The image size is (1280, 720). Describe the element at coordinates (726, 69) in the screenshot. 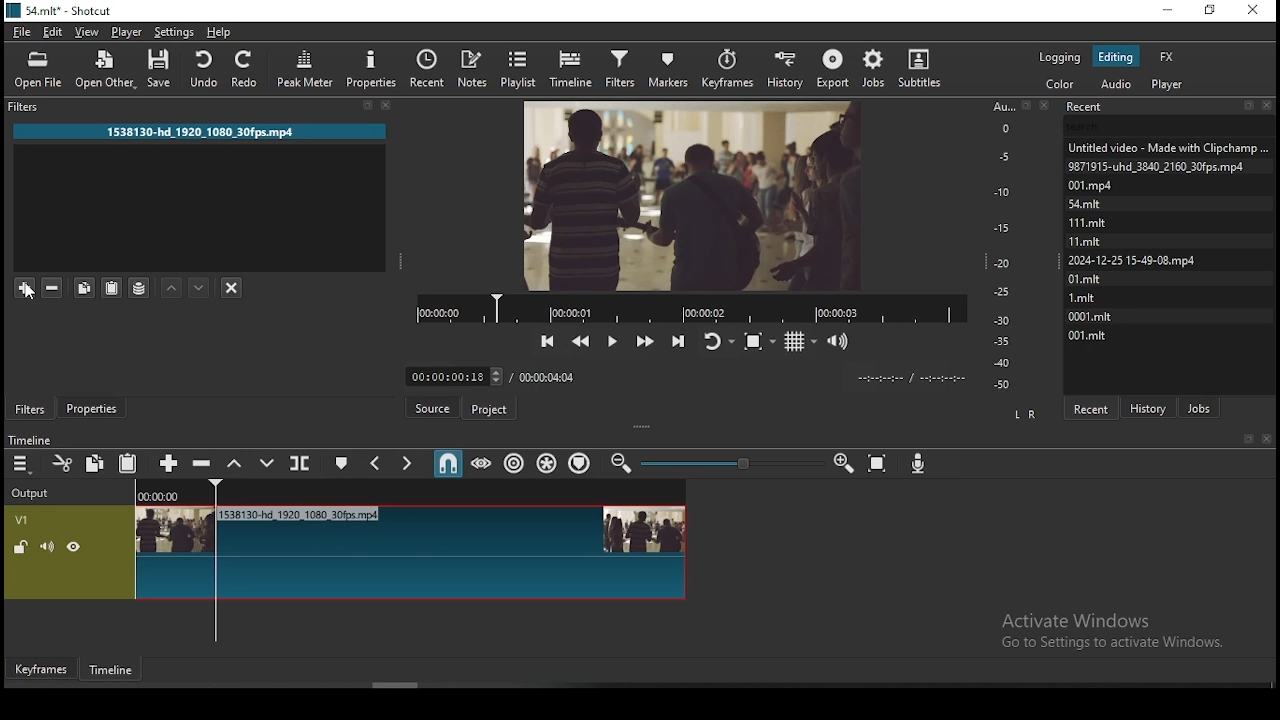

I see `keyframes` at that location.